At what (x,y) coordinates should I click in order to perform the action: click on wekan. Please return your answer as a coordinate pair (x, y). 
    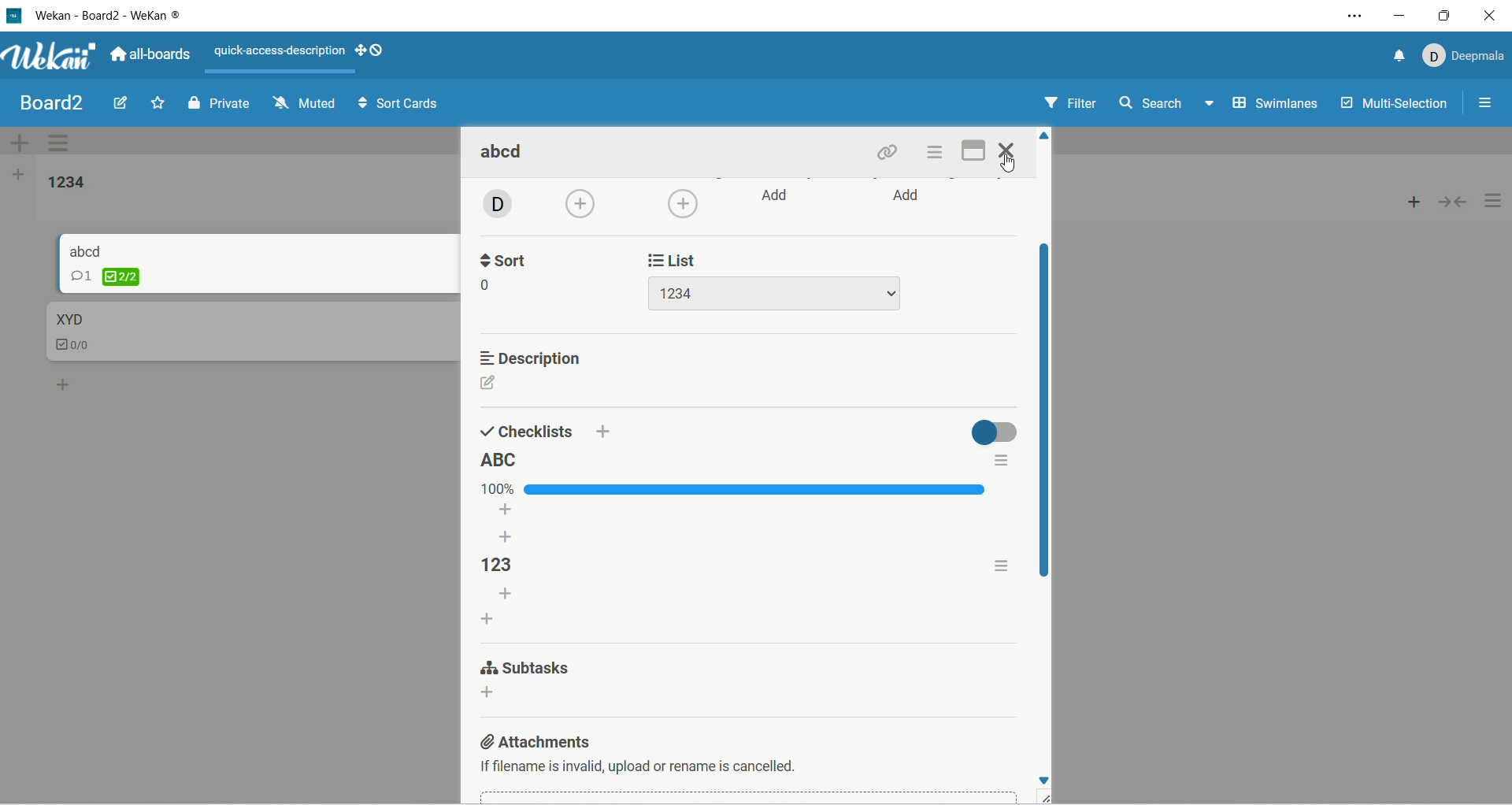
    Looking at the image, I should click on (49, 61).